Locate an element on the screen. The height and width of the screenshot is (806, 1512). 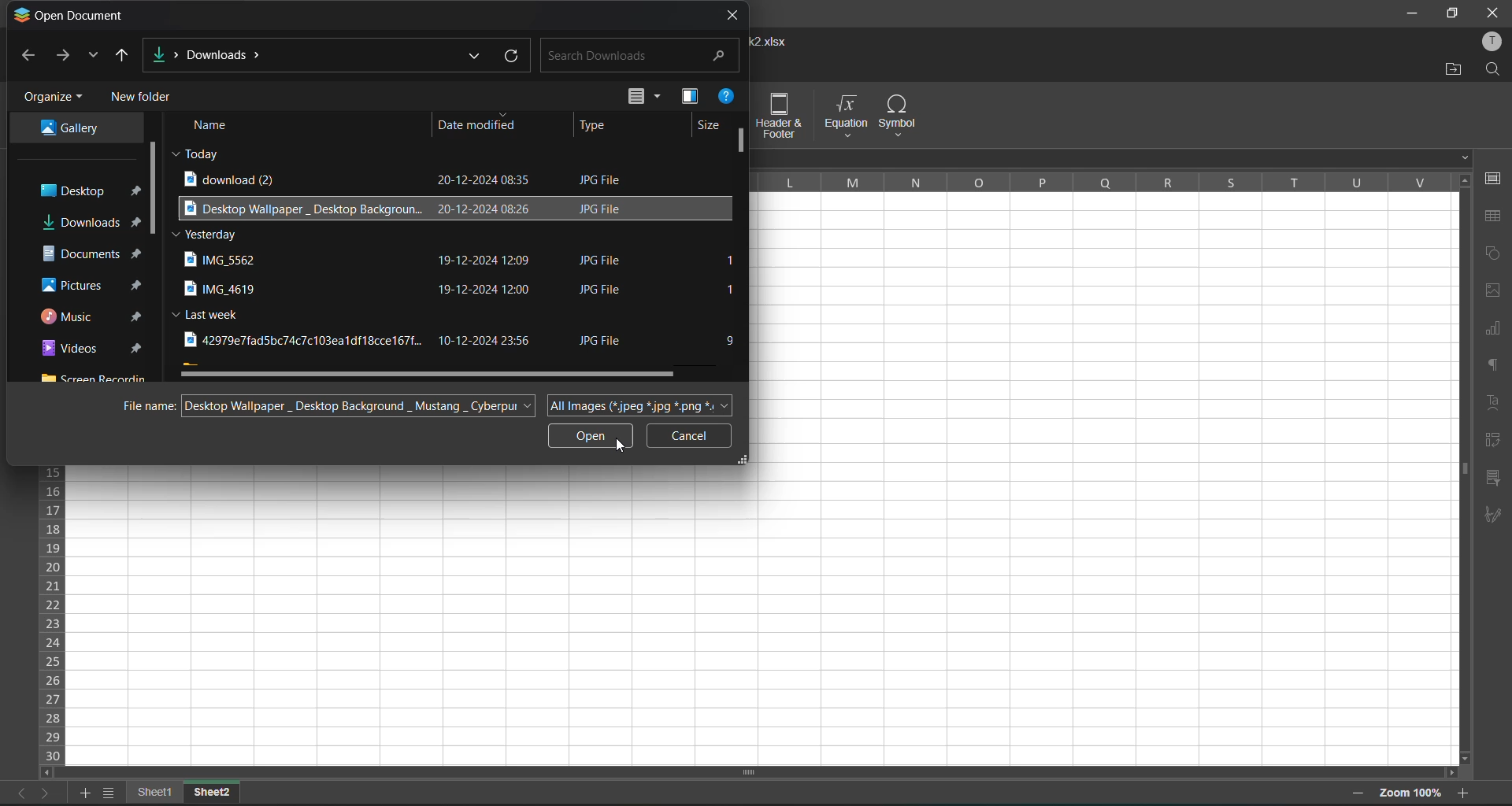
open location is located at coordinates (1447, 71).